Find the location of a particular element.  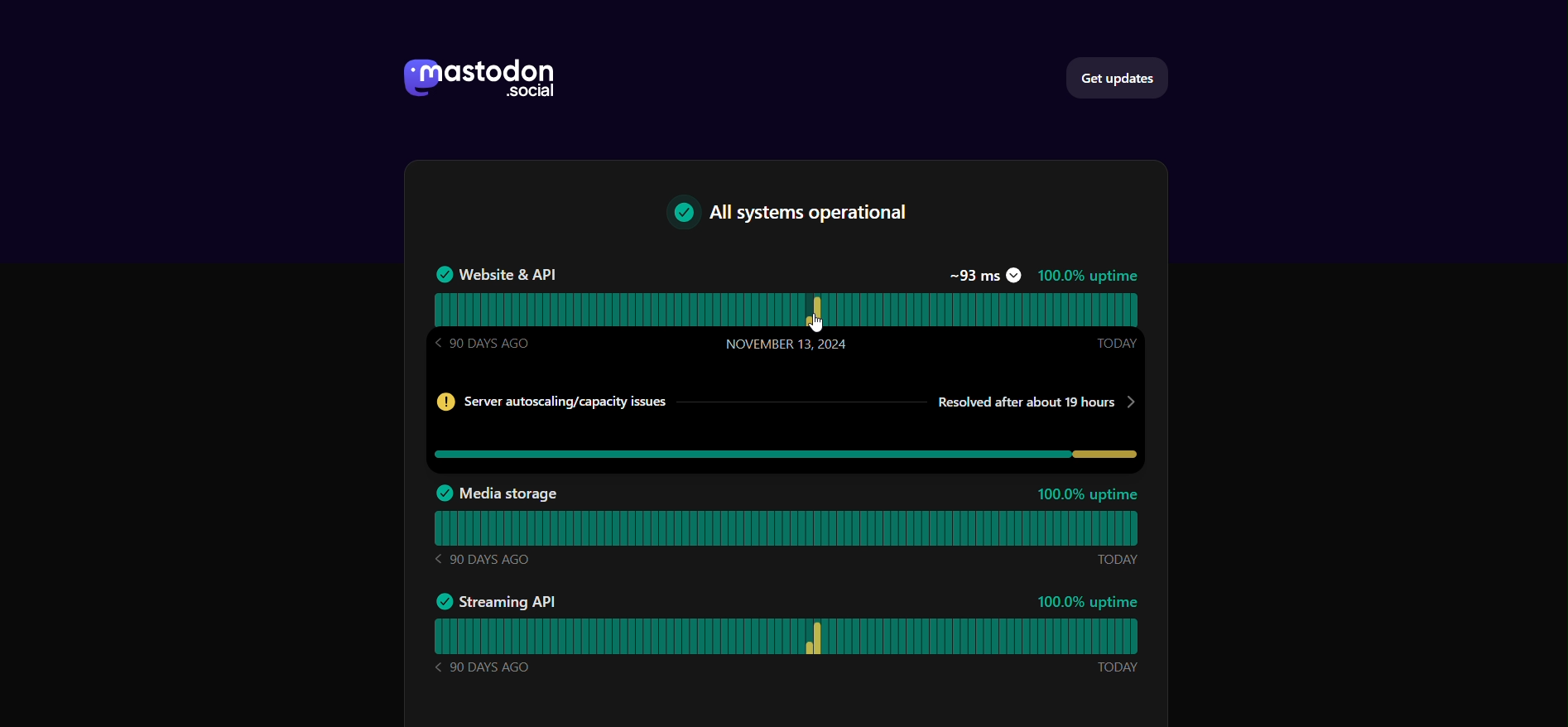

issues in Website and API is located at coordinates (788, 423).